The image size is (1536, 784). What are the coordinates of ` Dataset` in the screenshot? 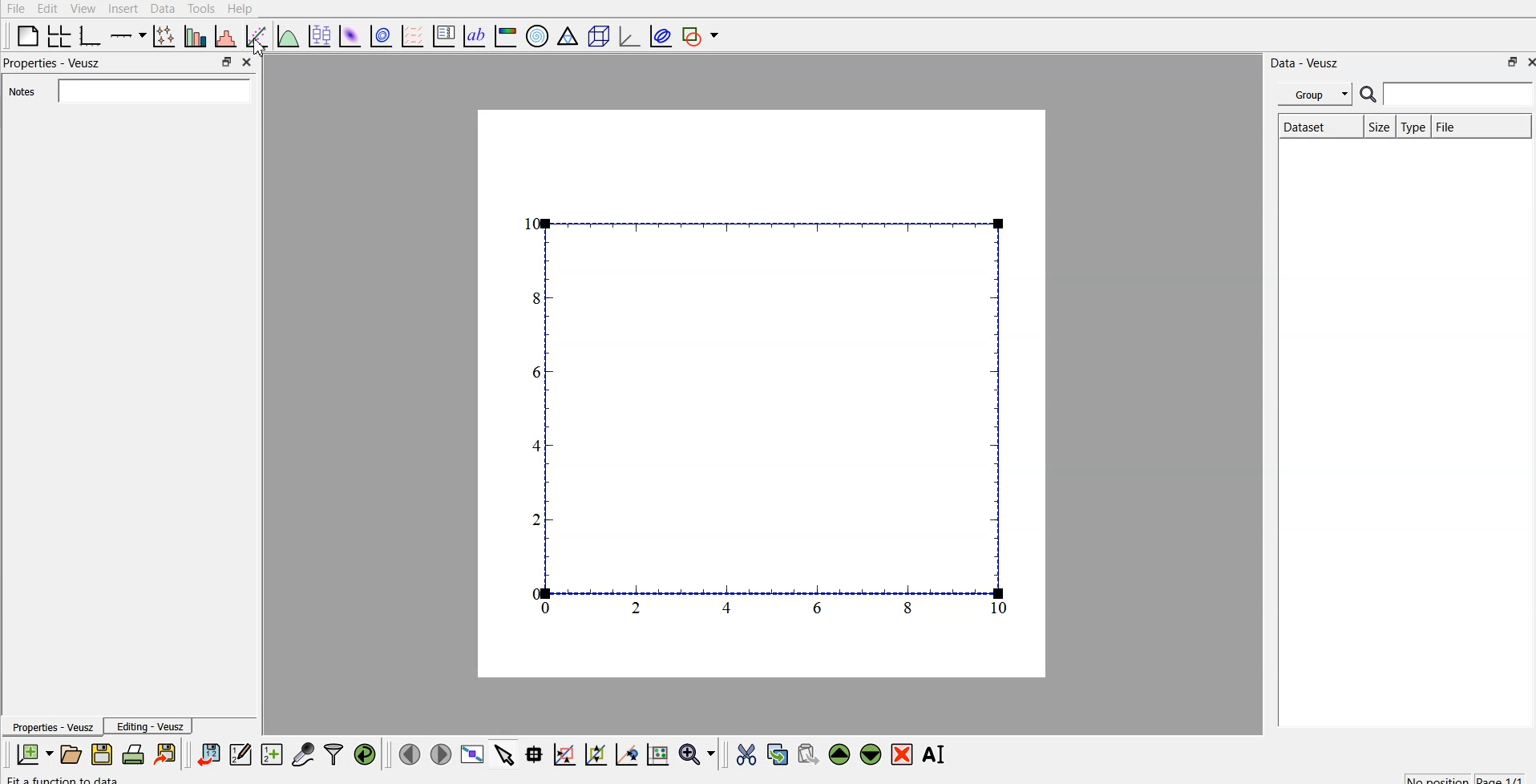 It's located at (1320, 126).